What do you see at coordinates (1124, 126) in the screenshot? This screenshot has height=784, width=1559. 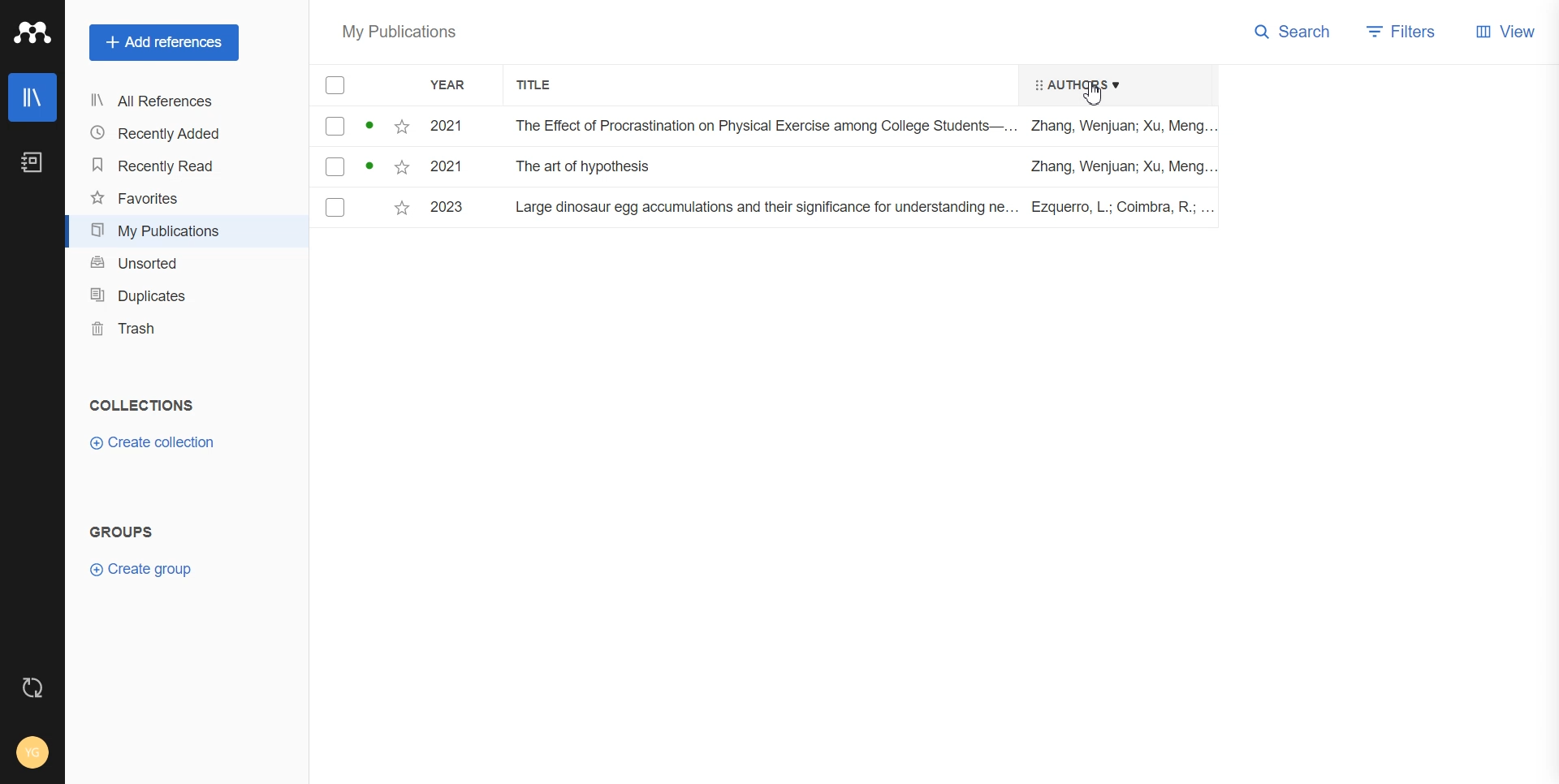 I see `Zhang, Wenjuan; Xu, Meng.` at bounding box center [1124, 126].